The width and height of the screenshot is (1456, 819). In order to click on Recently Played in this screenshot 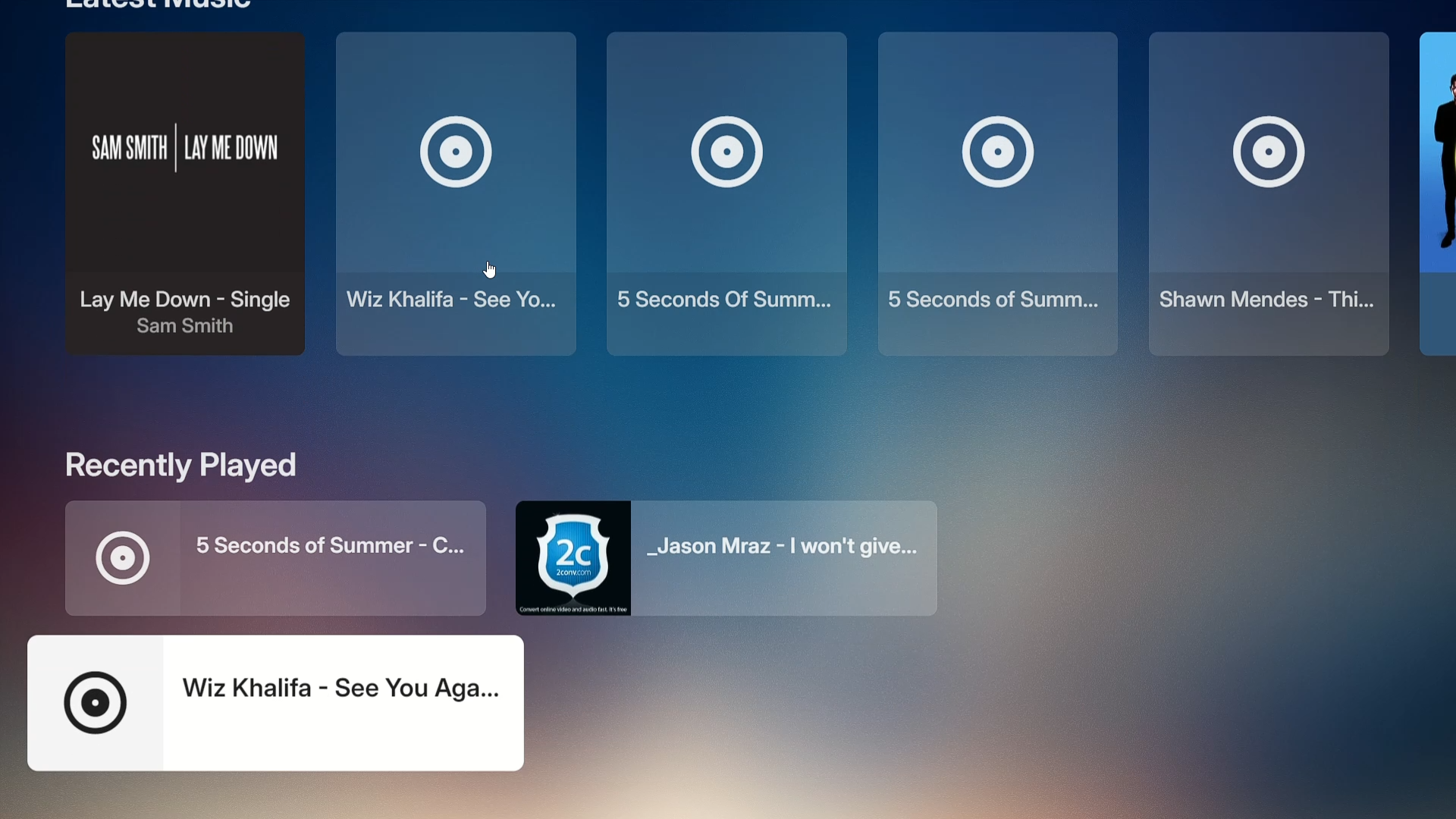, I will do `click(198, 466)`.